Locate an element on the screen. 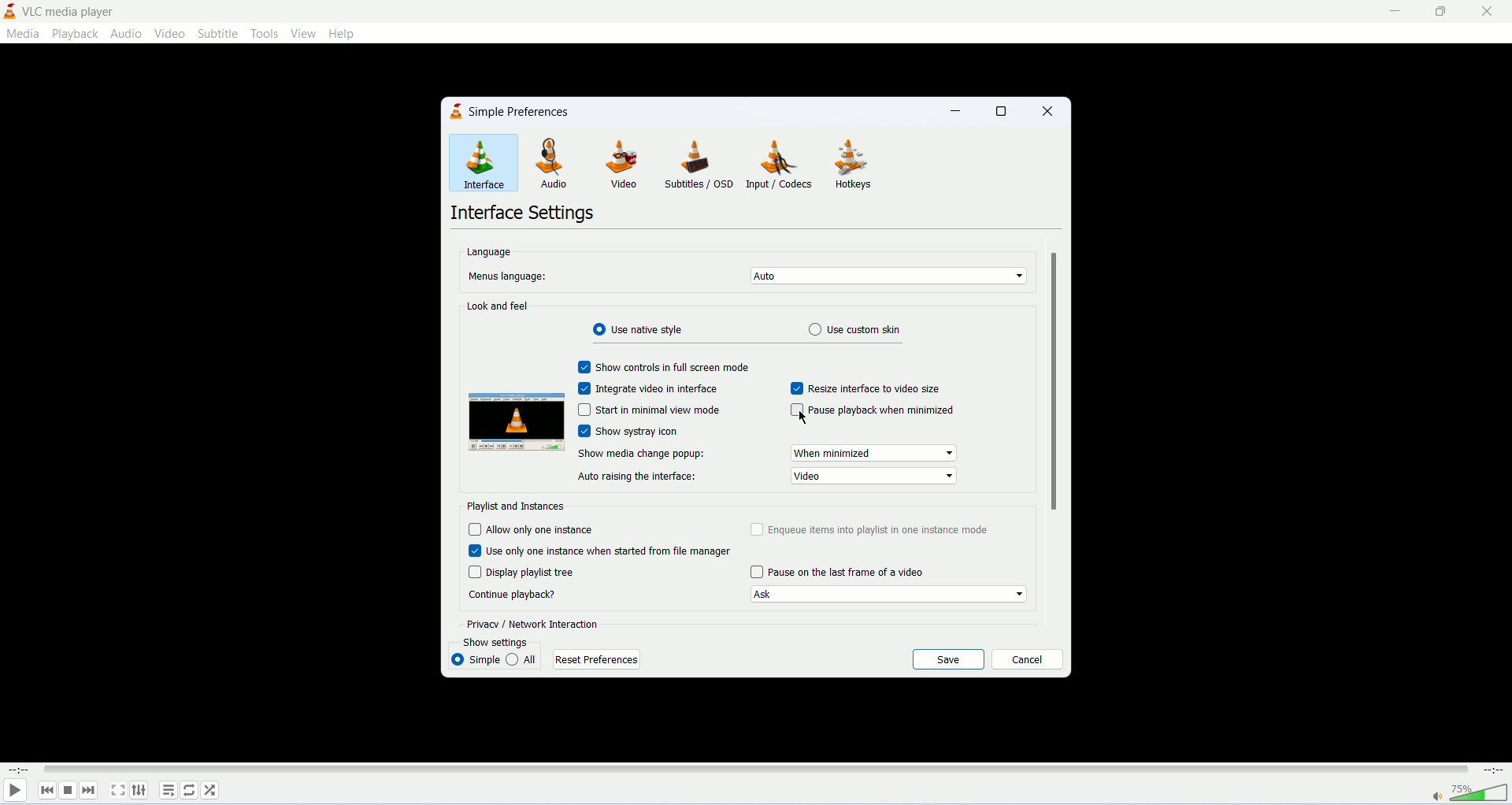 The height and width of the screenshot is (805, 1512). reset preferences is located at coordinates (598, 660).